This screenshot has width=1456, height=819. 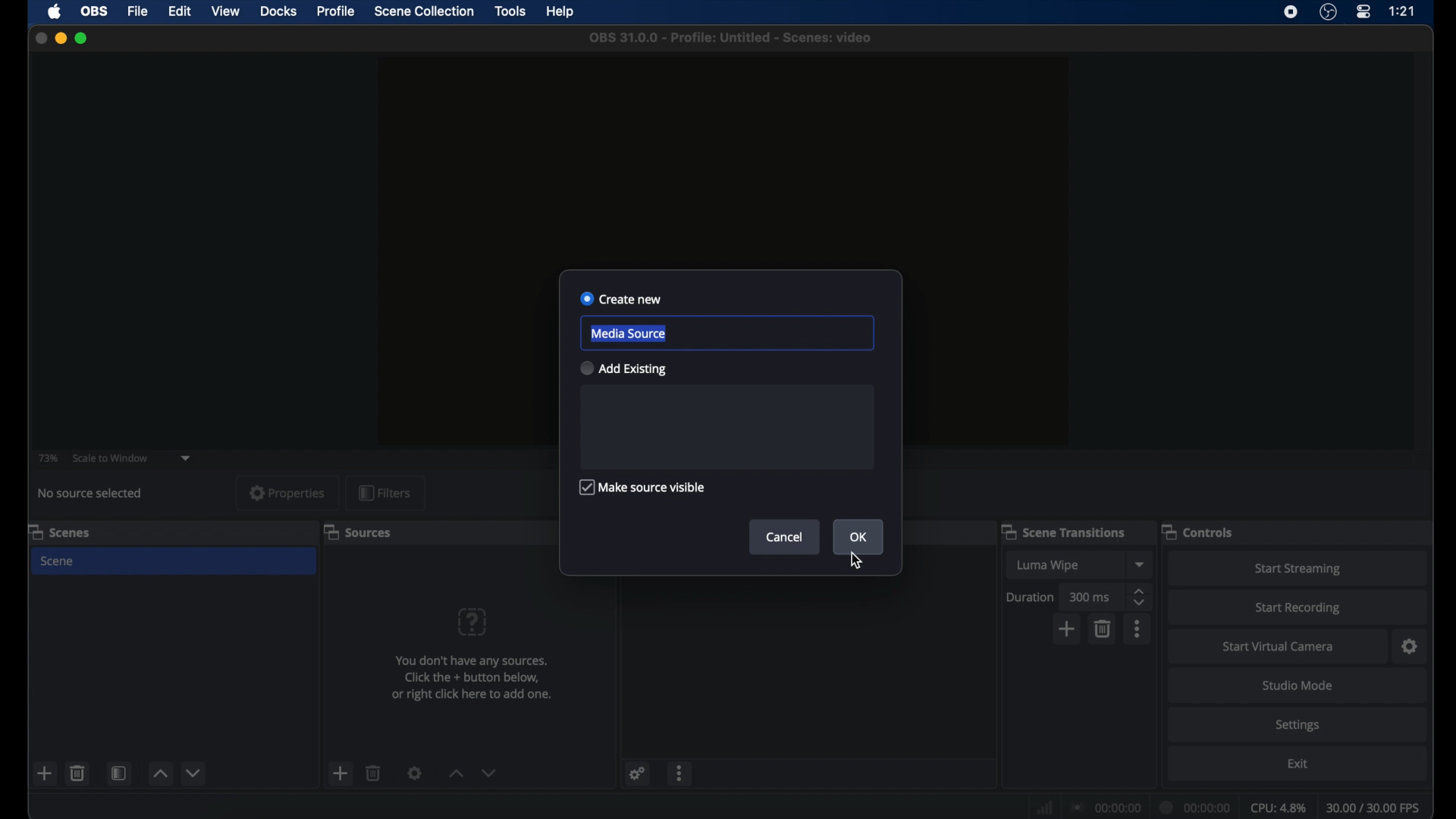 I want to click on cpu, so click(x=1278, y=807).